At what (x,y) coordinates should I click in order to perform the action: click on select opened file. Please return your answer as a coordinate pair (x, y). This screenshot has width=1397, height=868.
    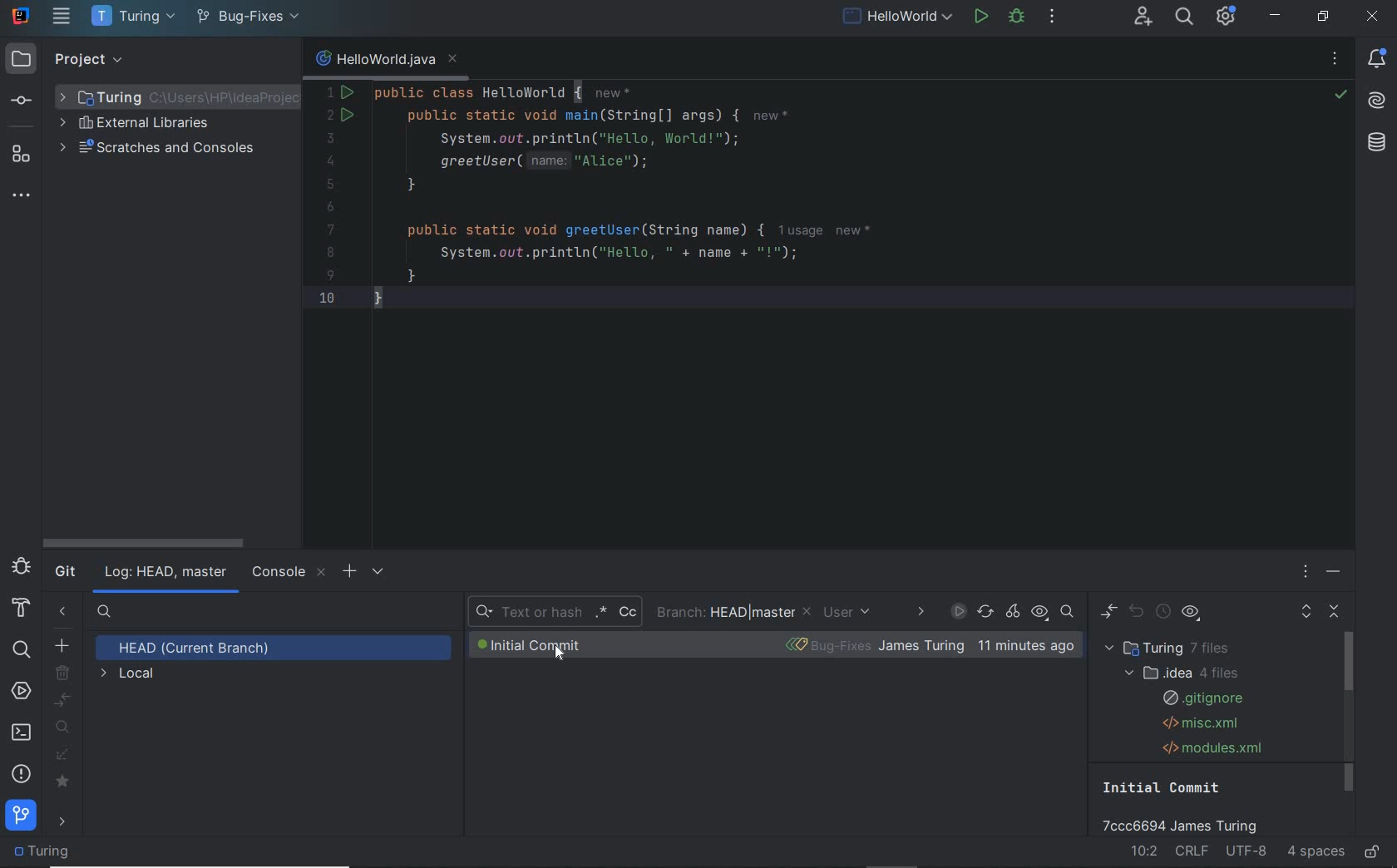
    Looking at the image, I should click on (170, 61).